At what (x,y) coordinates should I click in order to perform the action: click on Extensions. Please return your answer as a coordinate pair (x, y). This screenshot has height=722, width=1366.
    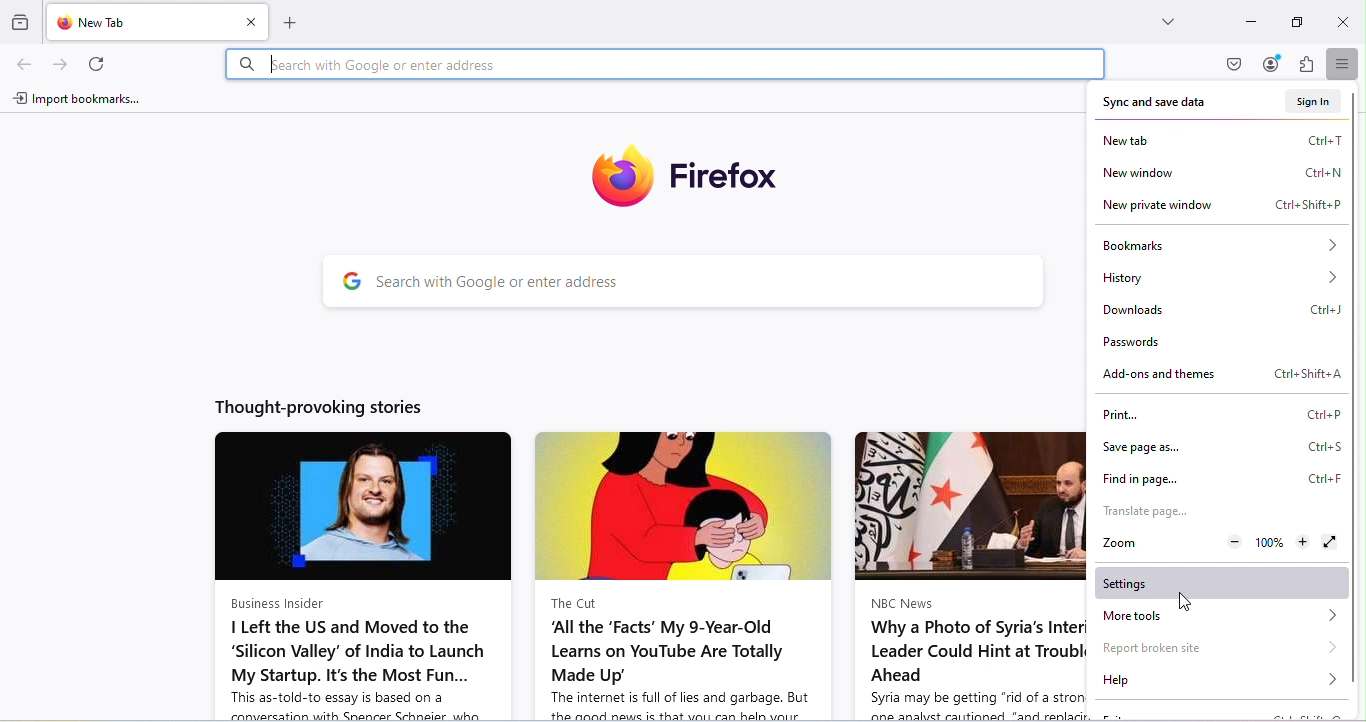
    Looking at the image, I should click on (1303, 66).